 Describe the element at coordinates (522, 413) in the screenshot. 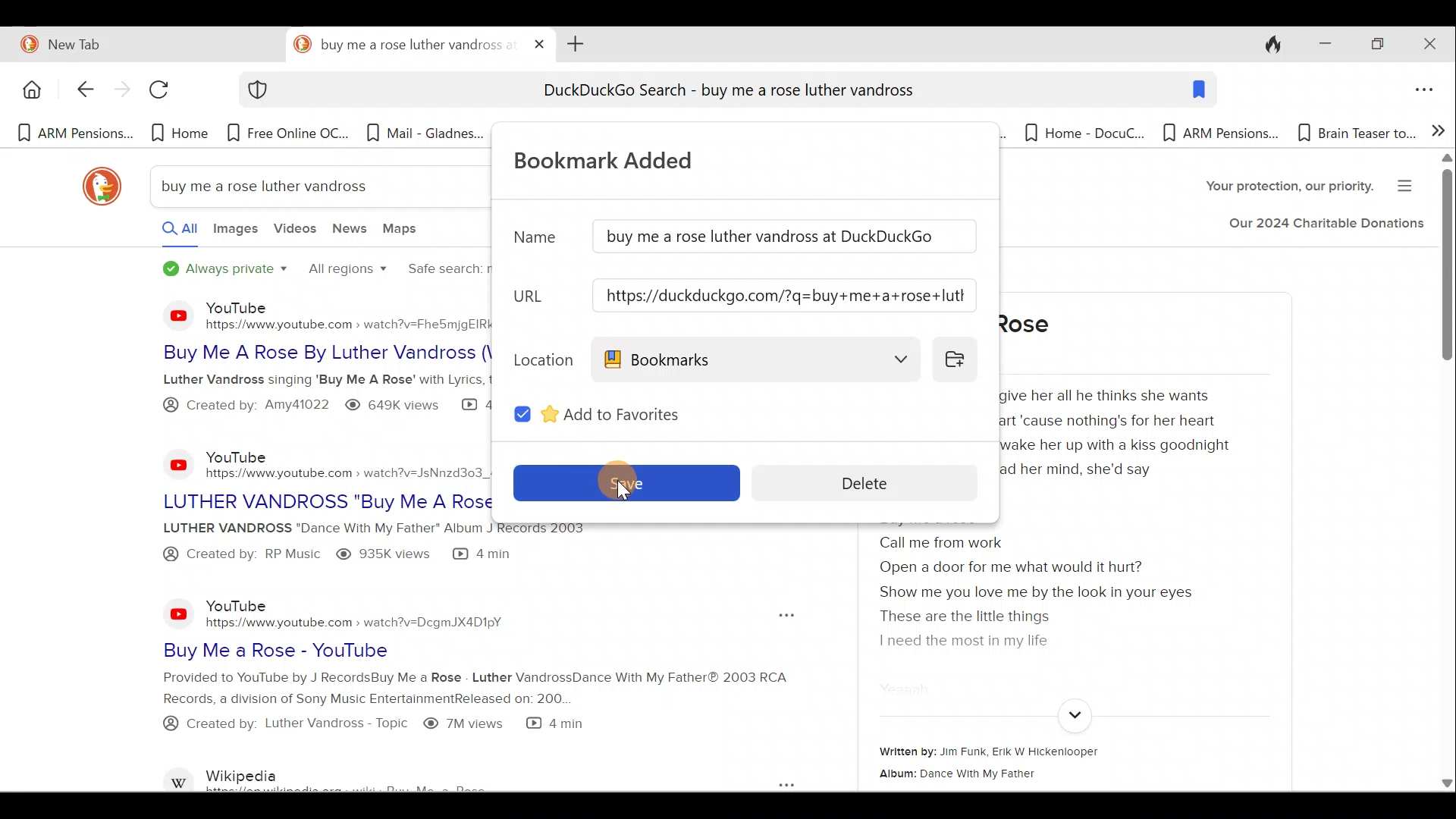

I see `Favorite button checked` at that location.